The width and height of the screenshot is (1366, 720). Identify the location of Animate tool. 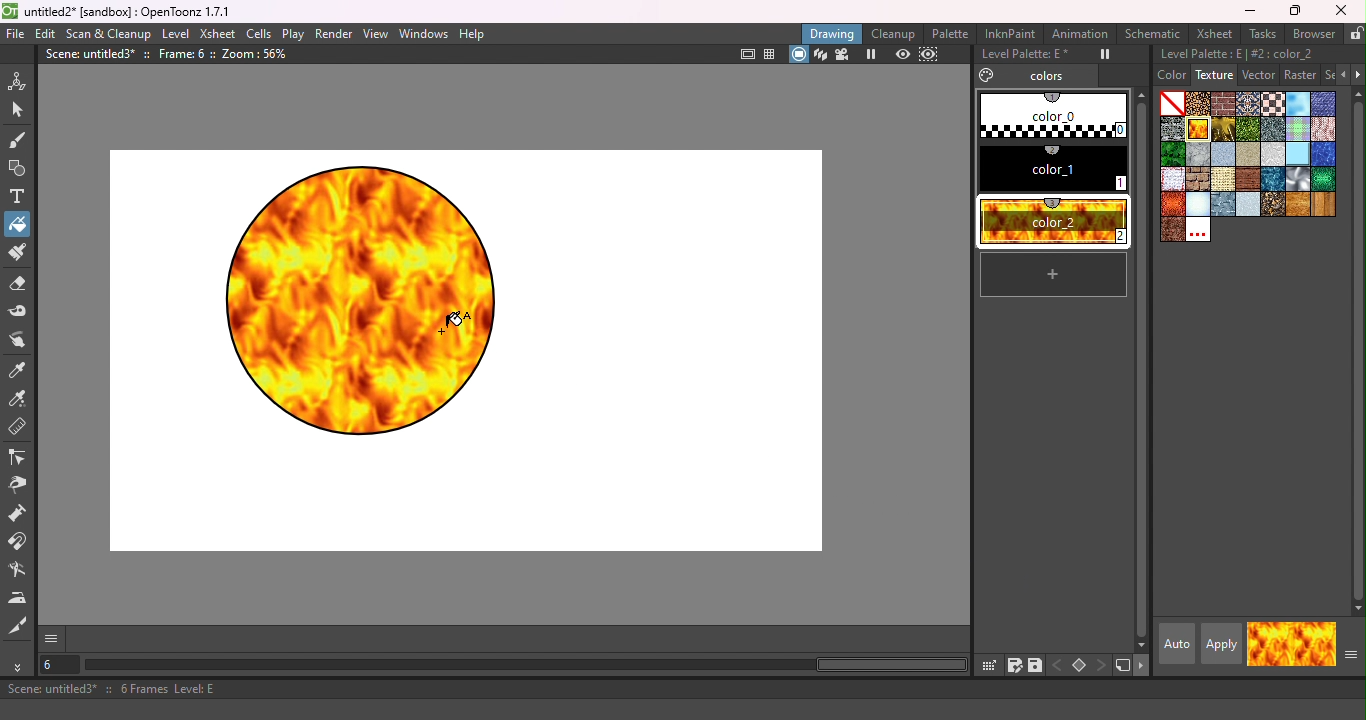
(21, 78).